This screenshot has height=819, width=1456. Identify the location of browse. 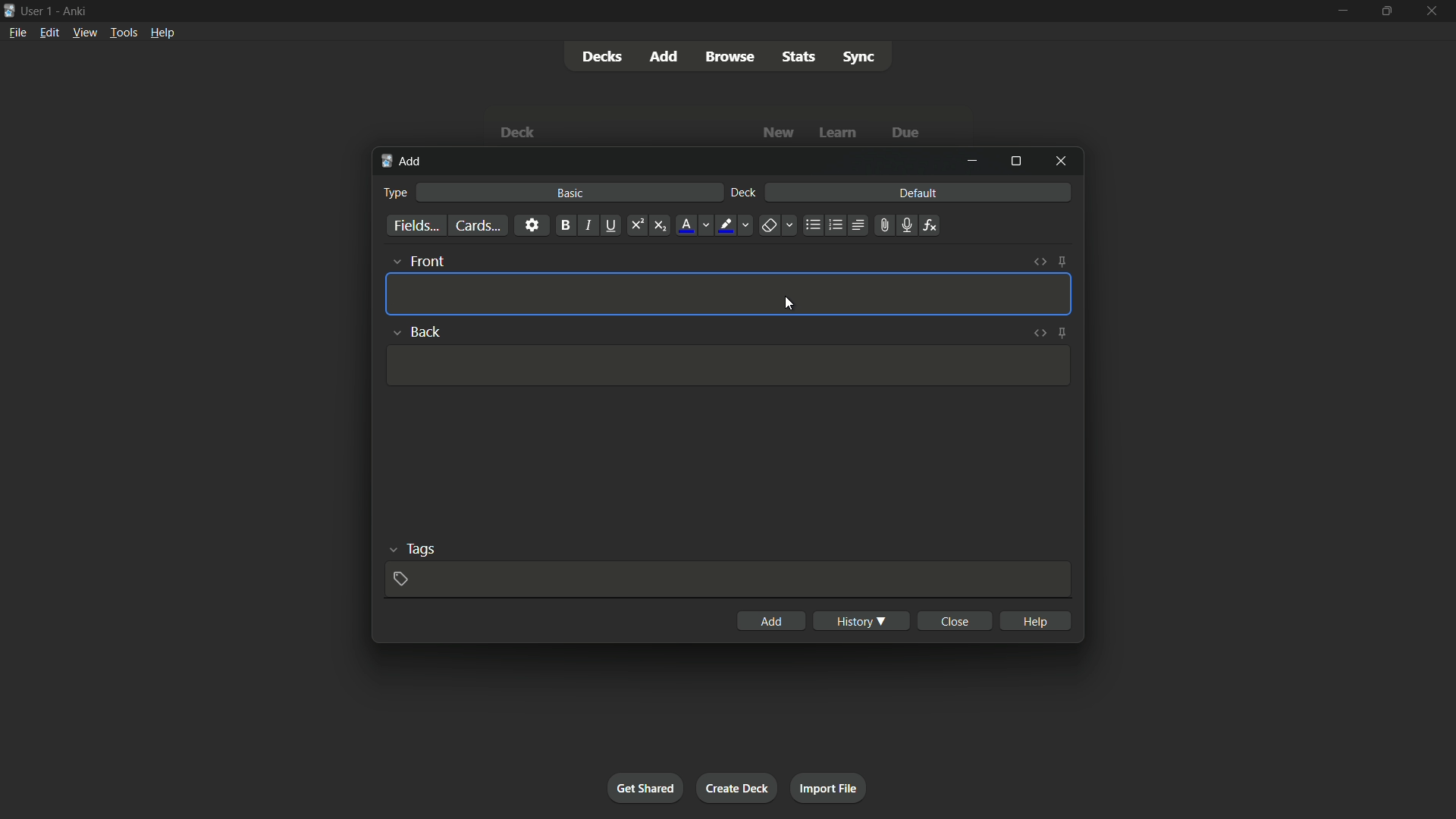
(730, 57).